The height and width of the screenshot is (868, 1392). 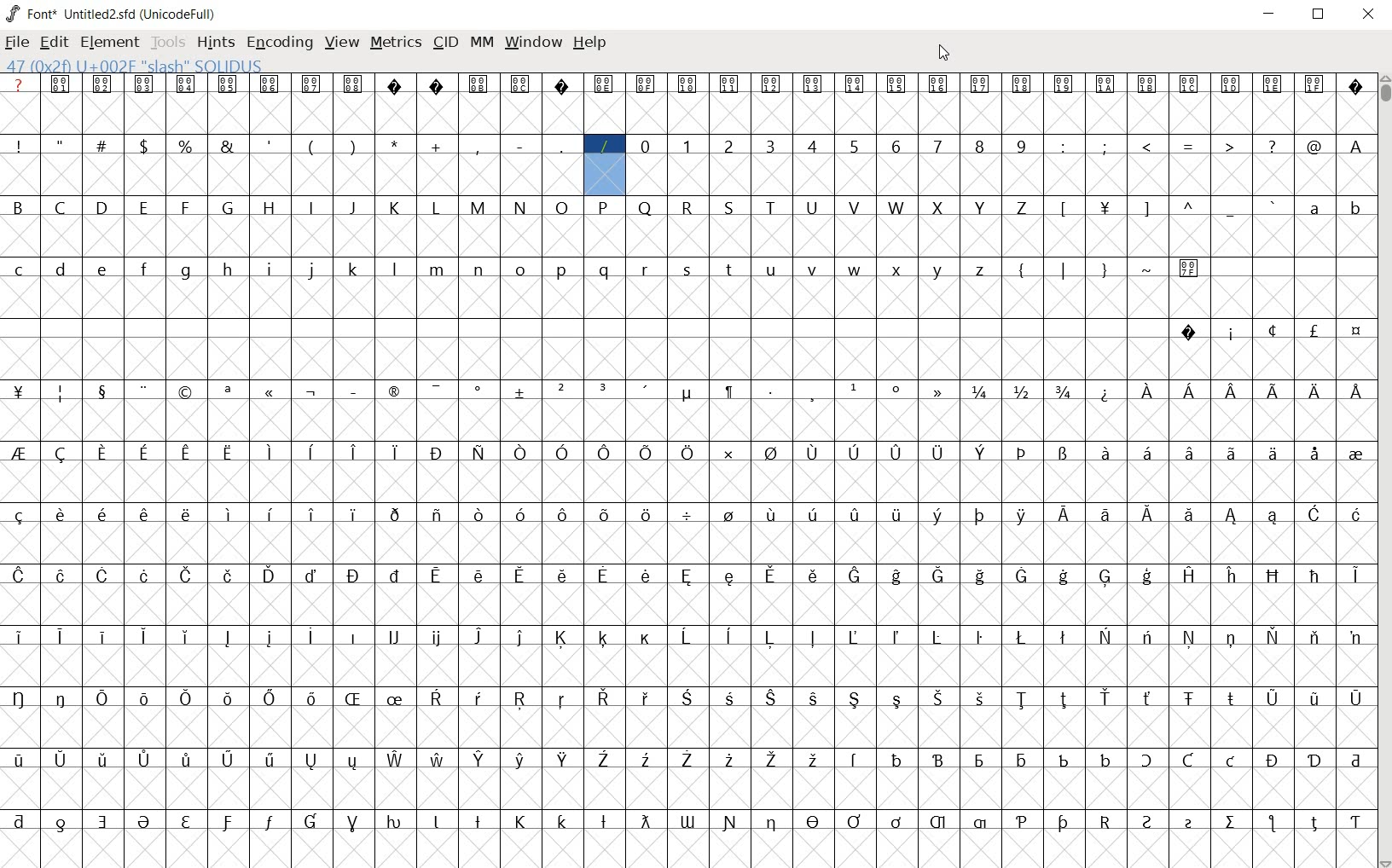 What do you see at coordinates (815, 576) in the screenshot?
I see `glyph` at bounding box center [815, 576].